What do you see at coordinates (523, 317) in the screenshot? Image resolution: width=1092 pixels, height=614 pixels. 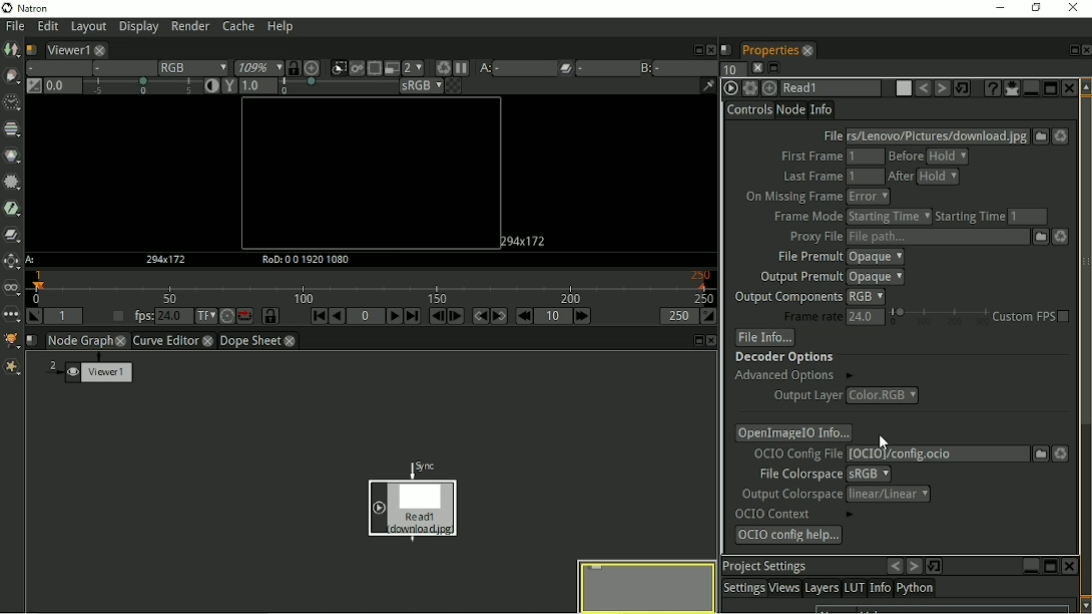 I see `Previous increment` at bounding box center [523, 317].